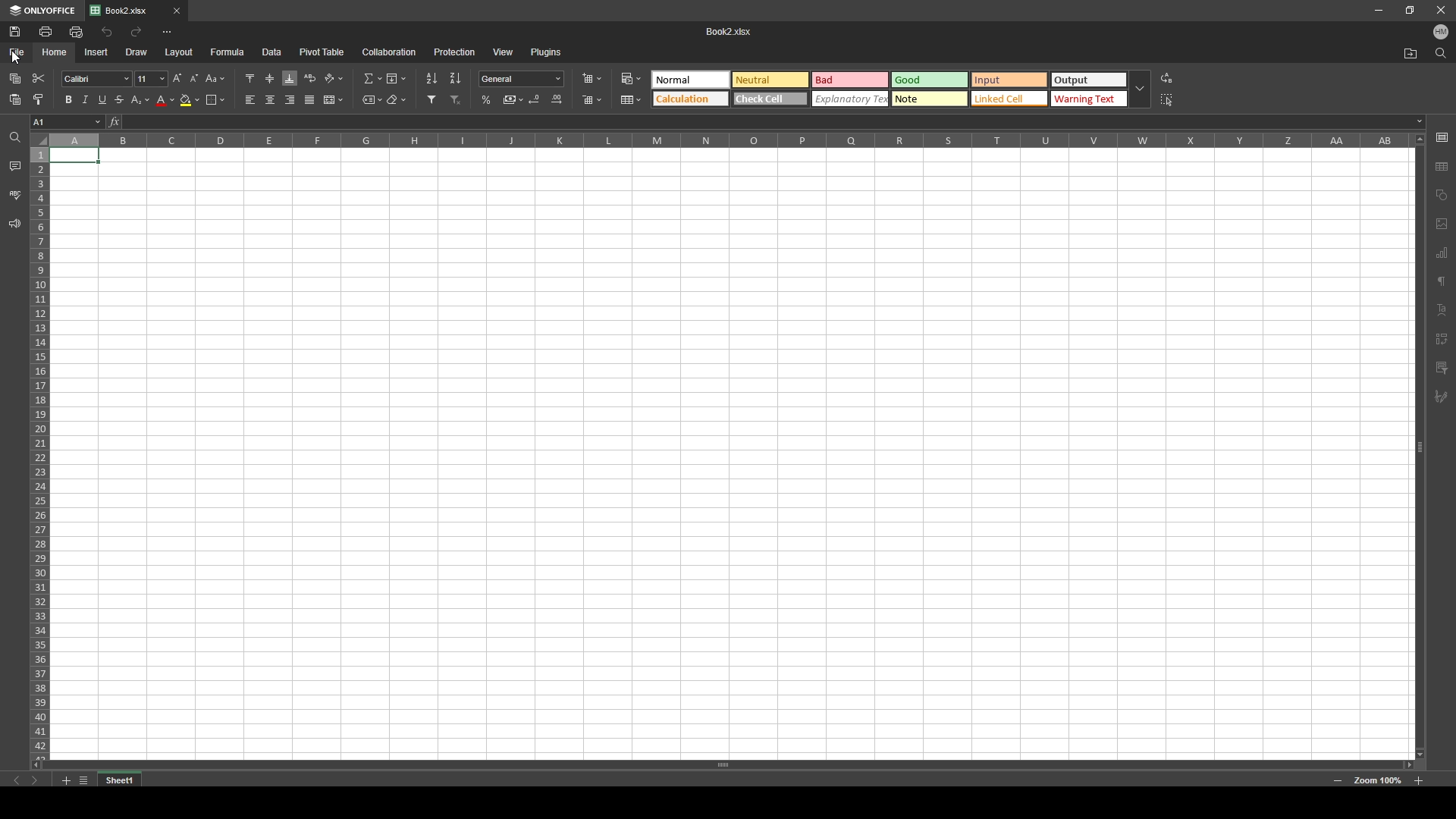 The image size is (1456, 819). What do you see at coordinates (55, 52) in the screenshot?
I see `home` at bounding box center [55, 52].